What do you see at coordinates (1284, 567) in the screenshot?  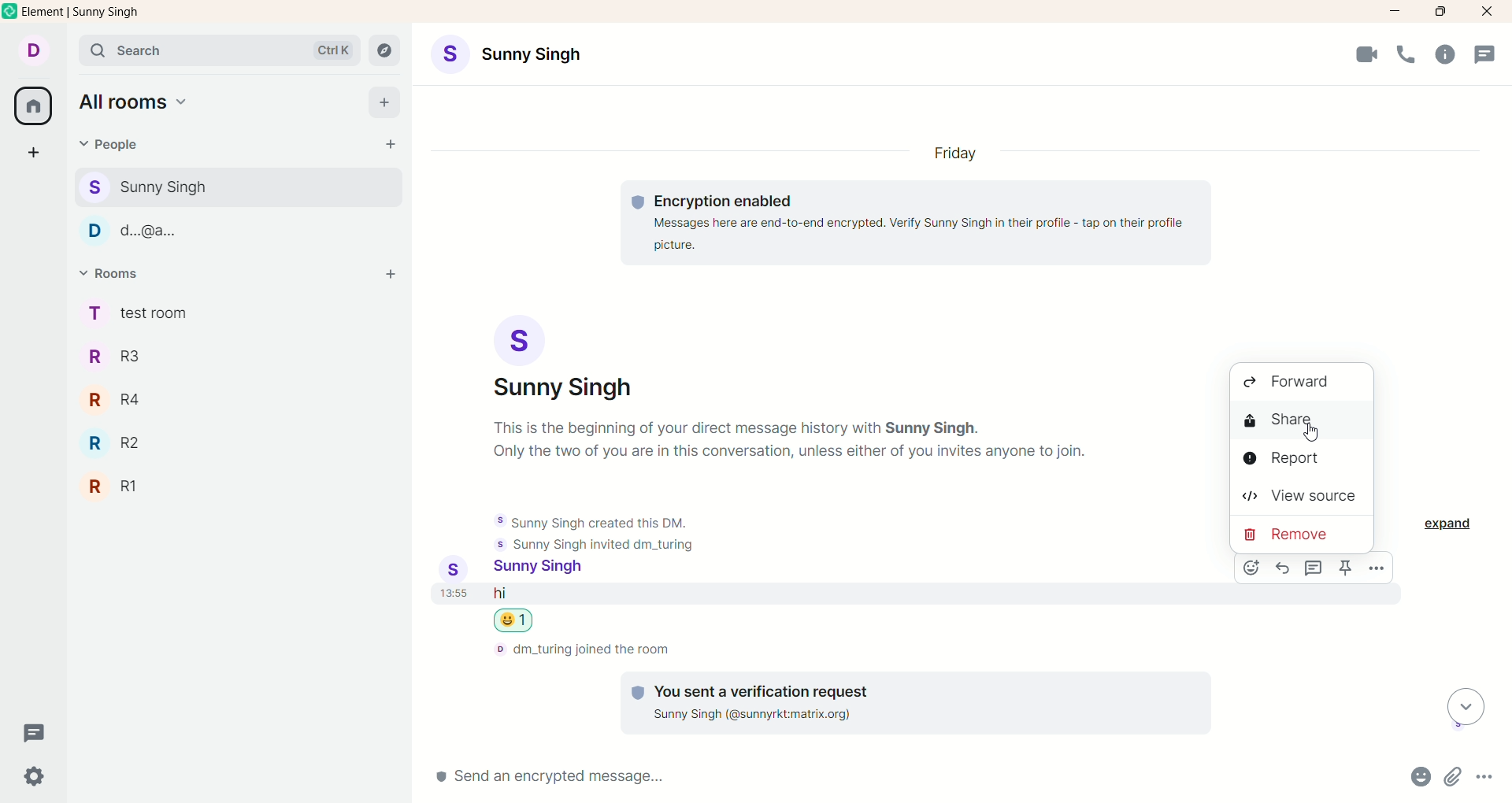 I see `reply` at bounding box center [1284, 567].